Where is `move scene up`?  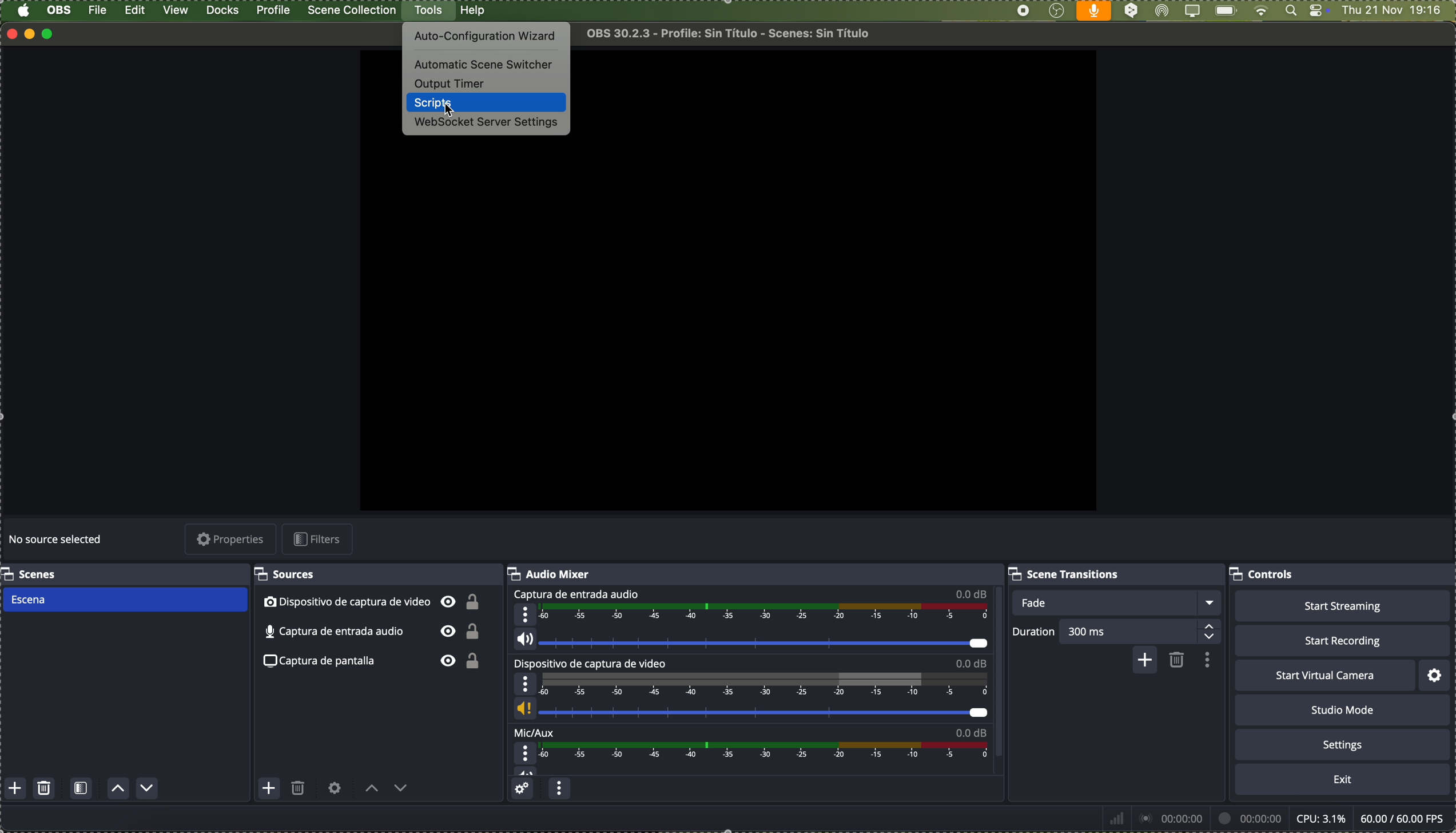
move scene up is located at coordinates (119, 790).